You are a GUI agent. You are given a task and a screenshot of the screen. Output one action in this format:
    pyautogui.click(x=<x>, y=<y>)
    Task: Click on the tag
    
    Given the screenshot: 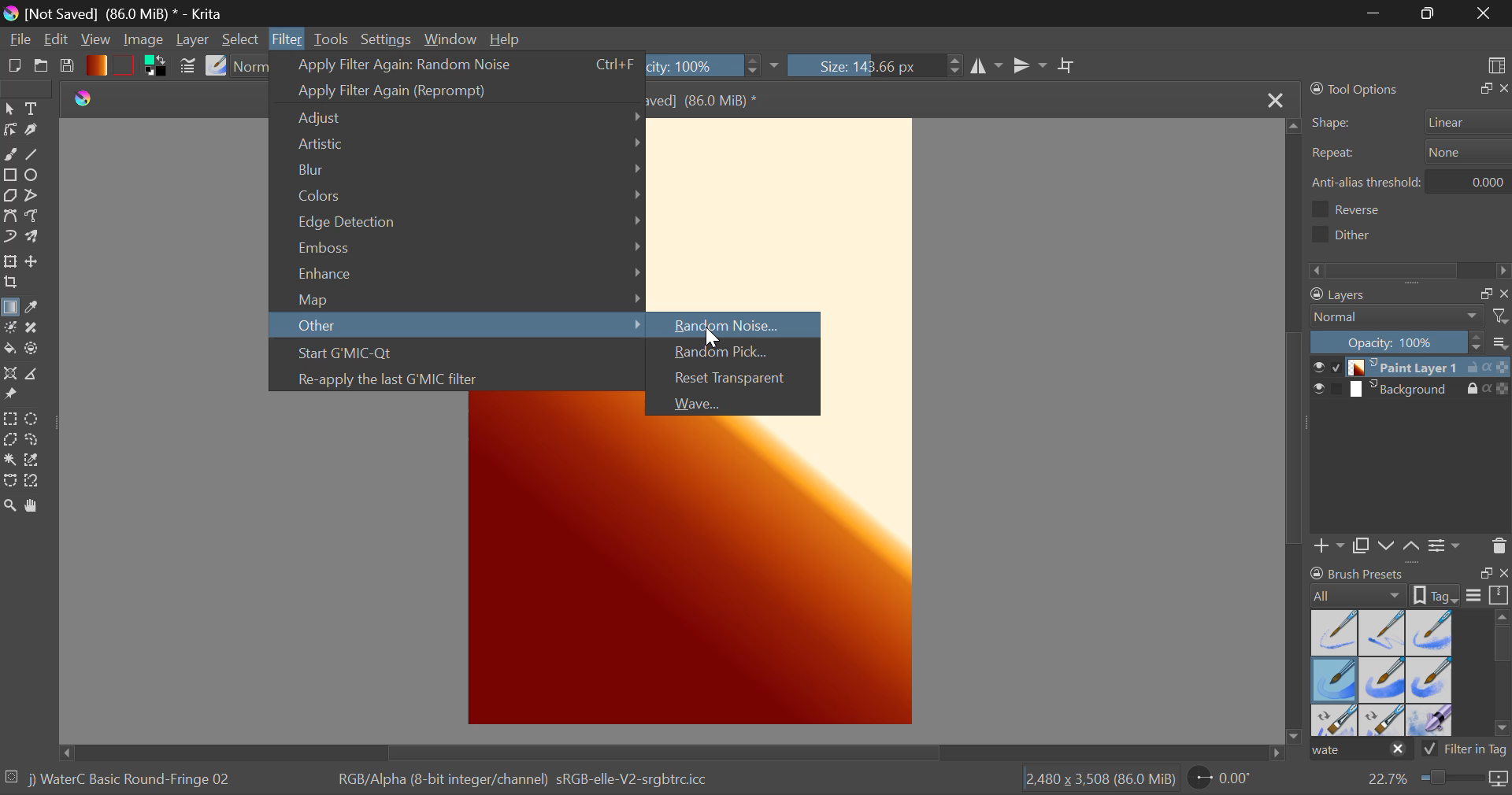 What is the action you would take?
    pyautogui.click(x=1499, y=753)
    